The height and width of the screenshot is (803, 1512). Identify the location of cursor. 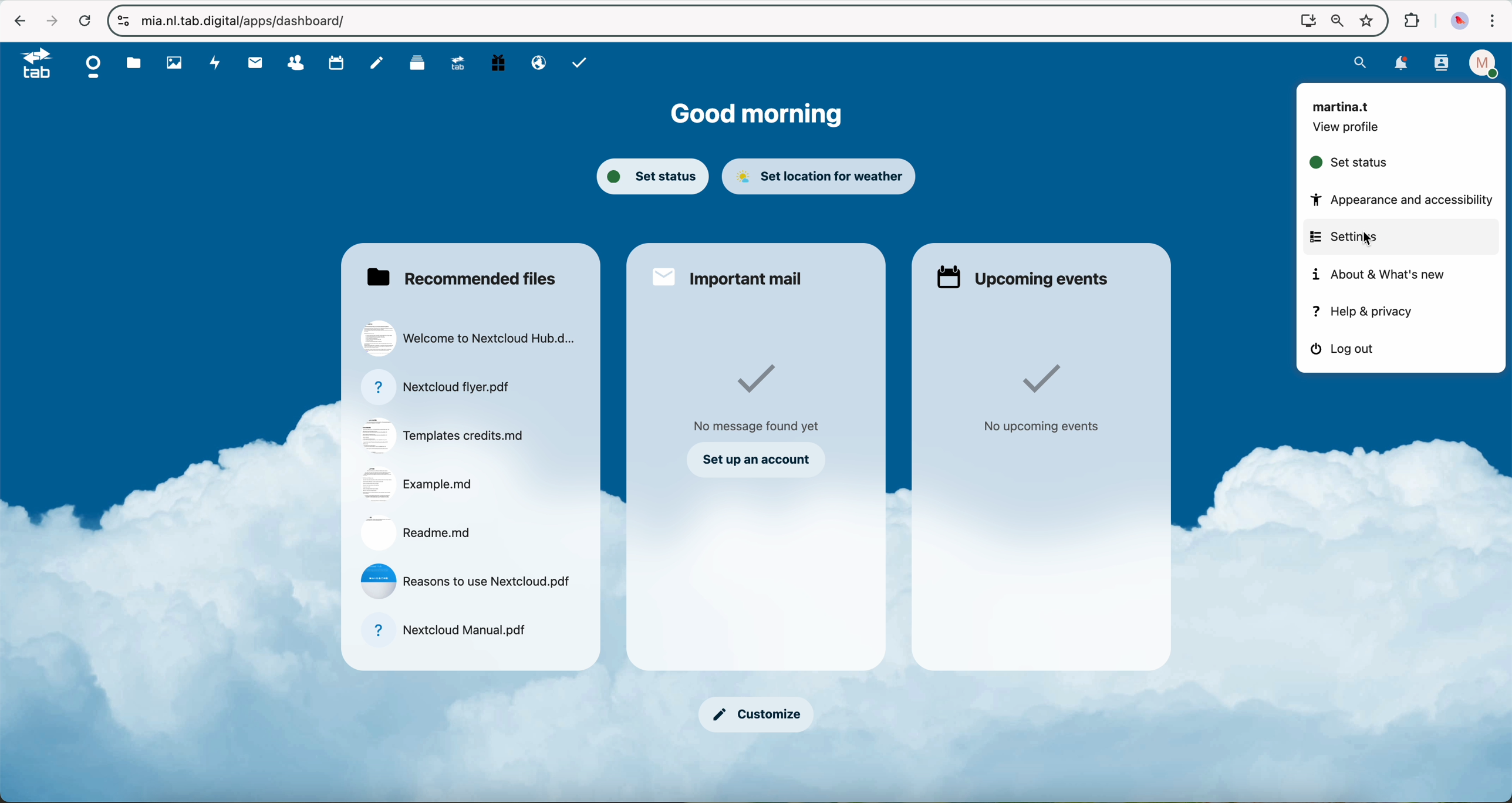
(1372, 241).